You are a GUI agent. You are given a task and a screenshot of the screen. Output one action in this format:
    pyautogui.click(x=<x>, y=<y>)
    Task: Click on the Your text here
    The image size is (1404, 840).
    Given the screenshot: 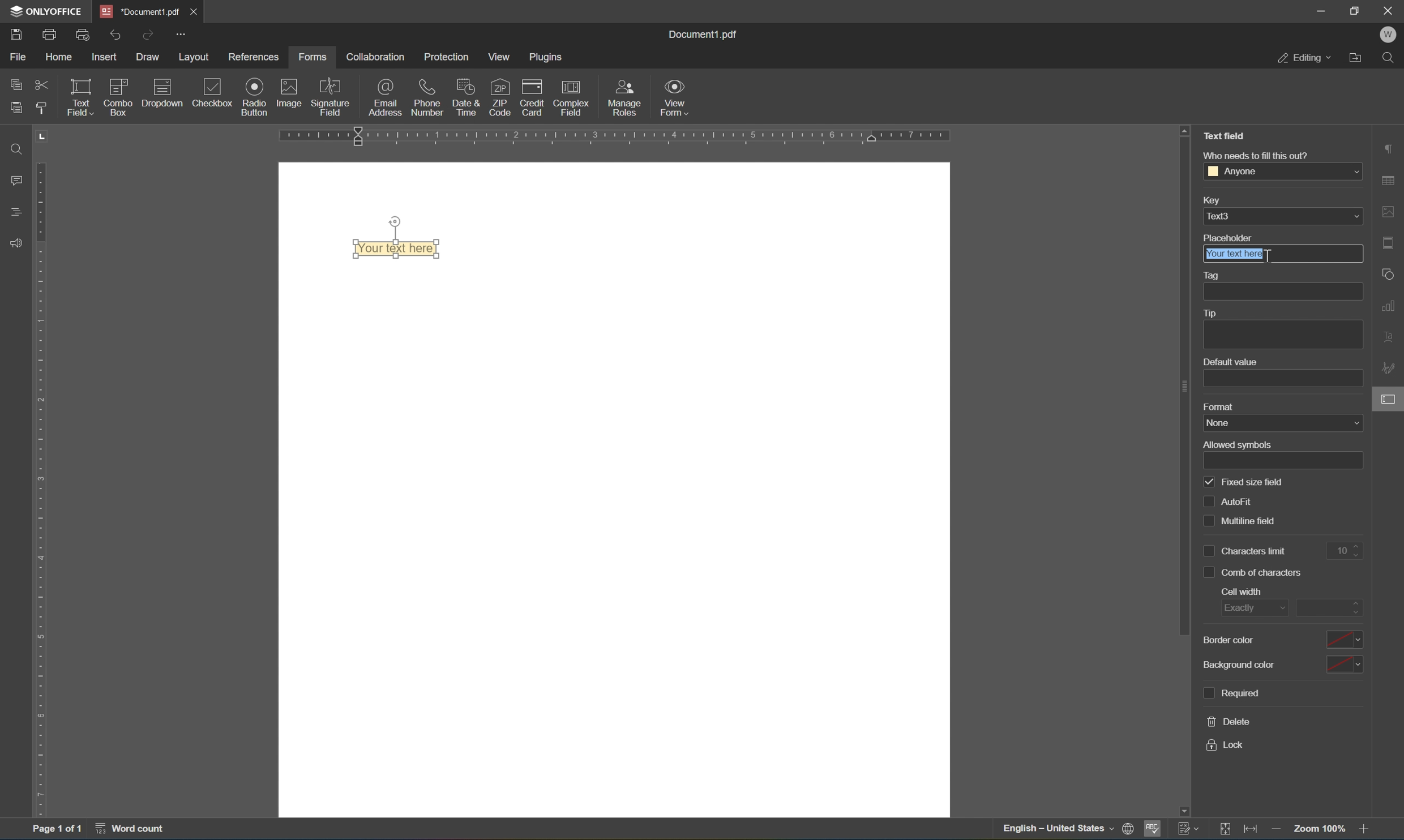 What is the action you would take?
    pyautogui.click(x=397, y=248)
    